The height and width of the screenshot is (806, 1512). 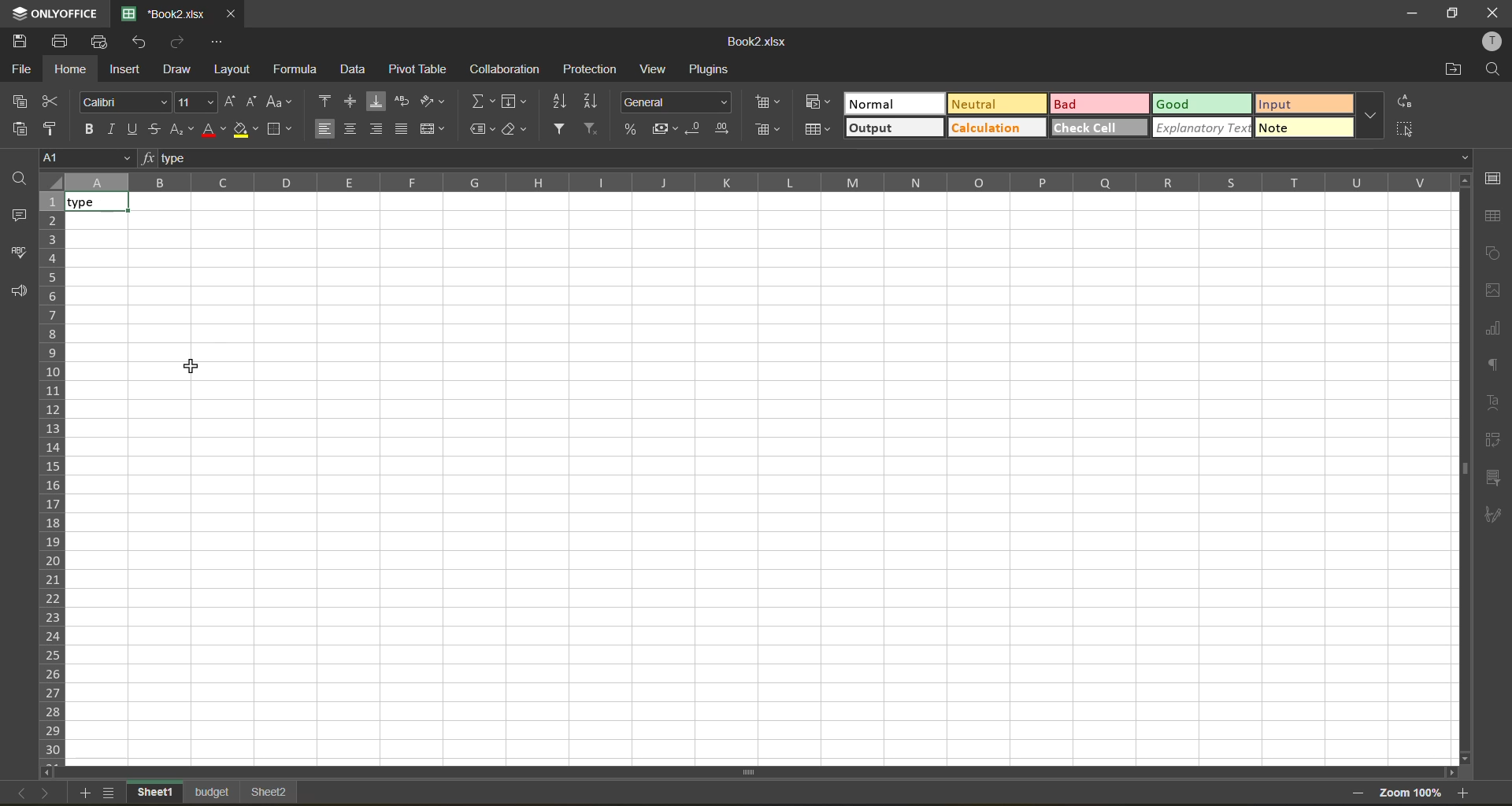 What do you see at coordinates (706, 68) in the screenshot?
I see `plugins` at bounding box center [706, 68].